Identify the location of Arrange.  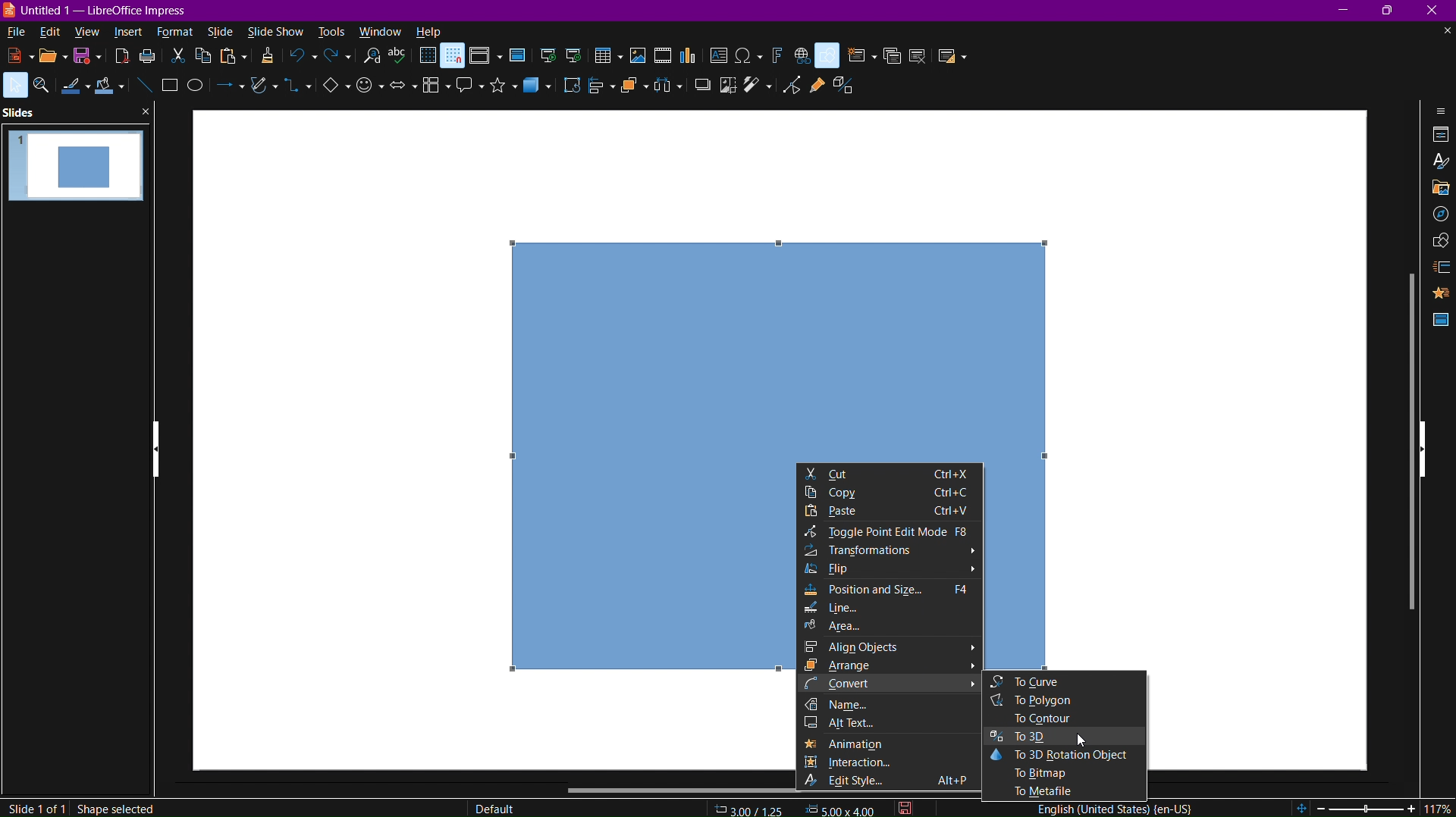
(633, 90).